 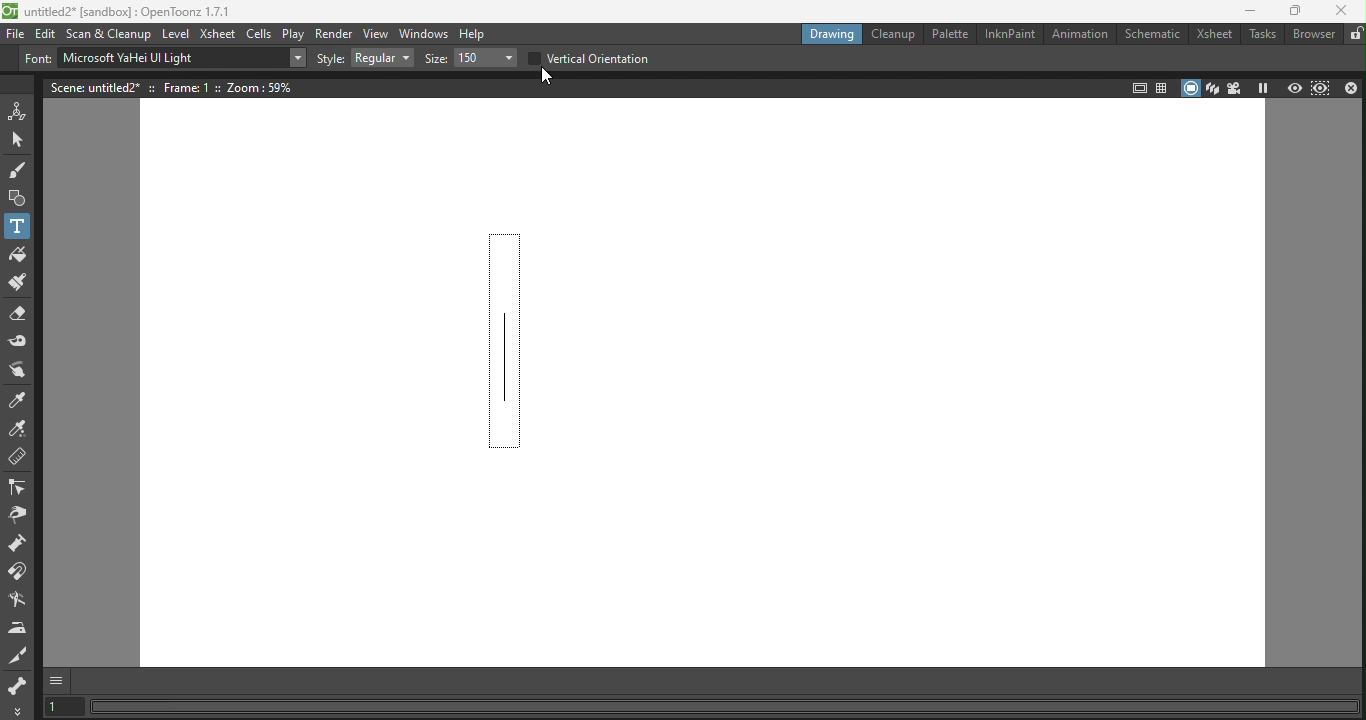 I want to click on Palette, so click(x=949, y=37).